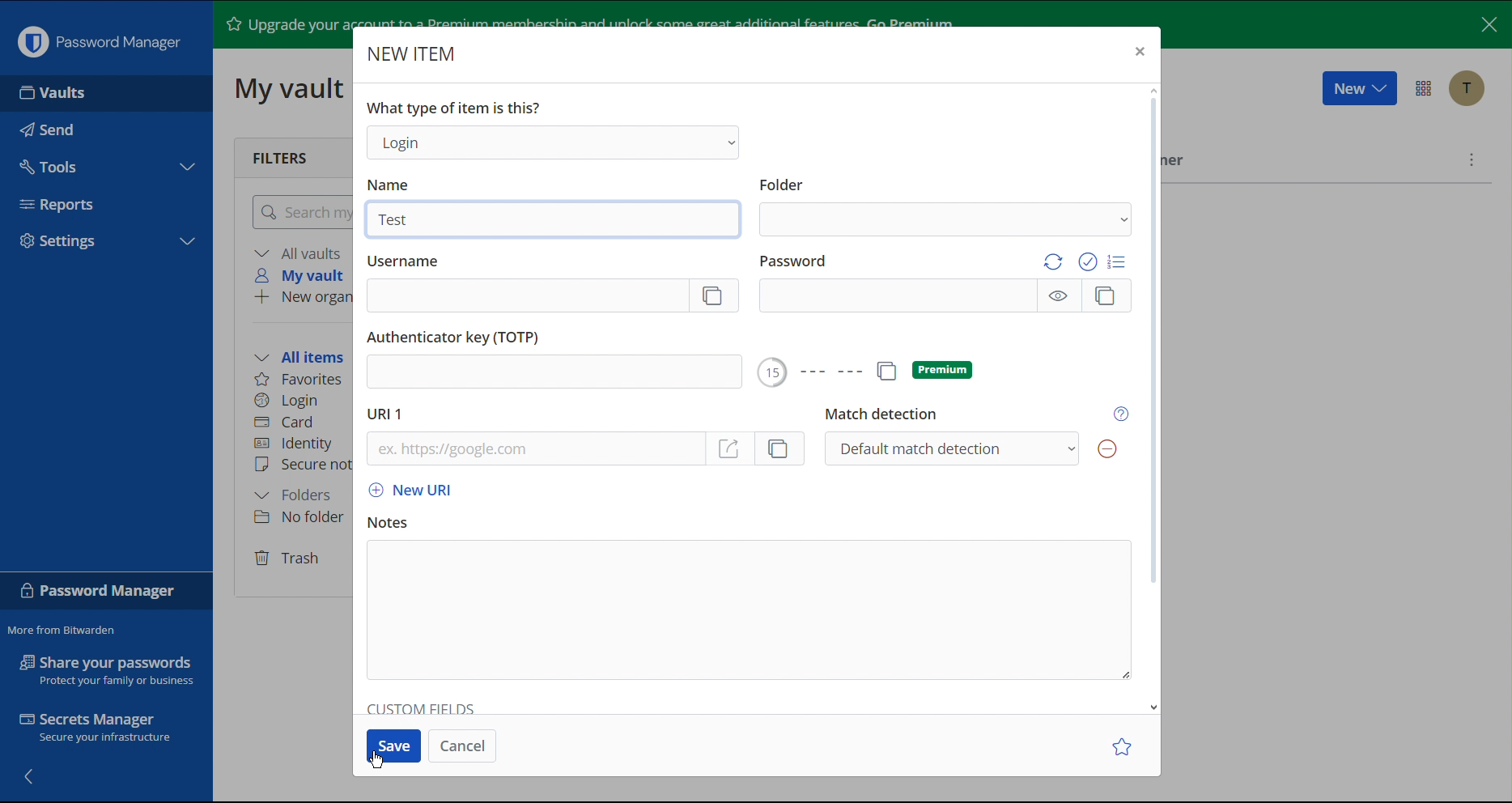  What do you see at coordinates (556, 144) in the screenshot?
I see `Login` at bounding box center [556, 144].